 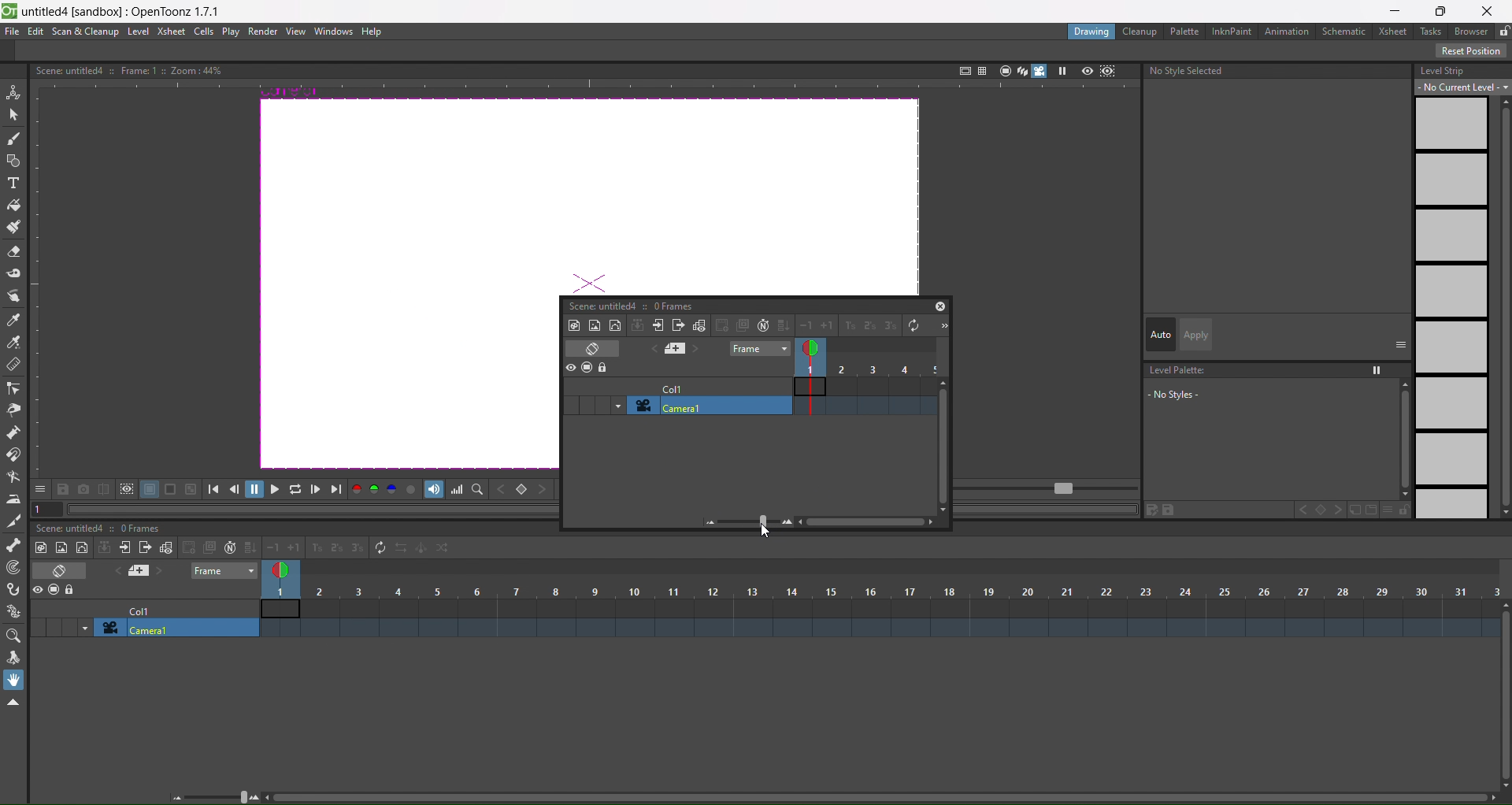 I want to click on column, so click(x=882, y=591).